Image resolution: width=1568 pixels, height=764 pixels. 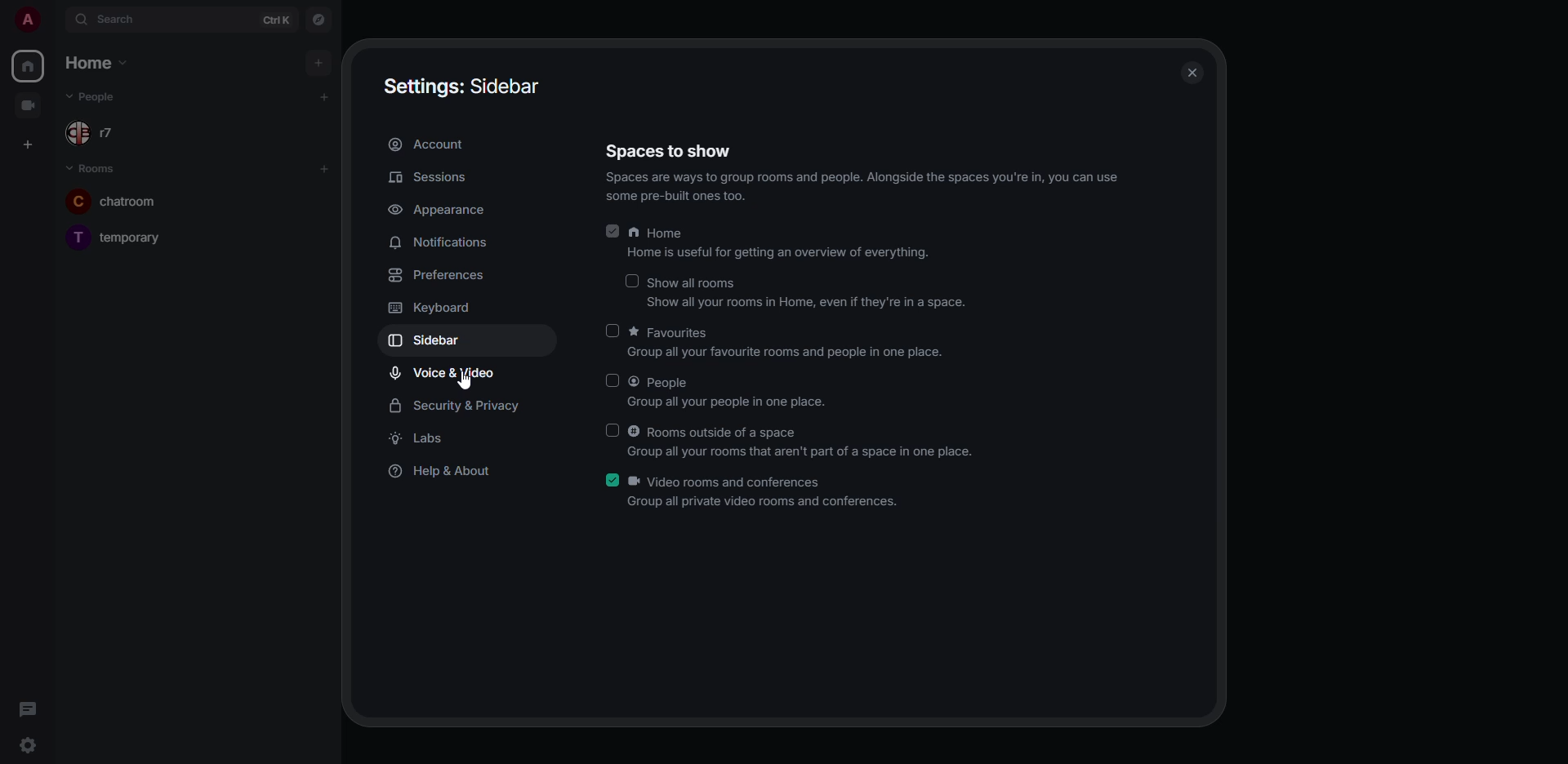 I want to click on settings sidebar, so click(x=458, y=85).